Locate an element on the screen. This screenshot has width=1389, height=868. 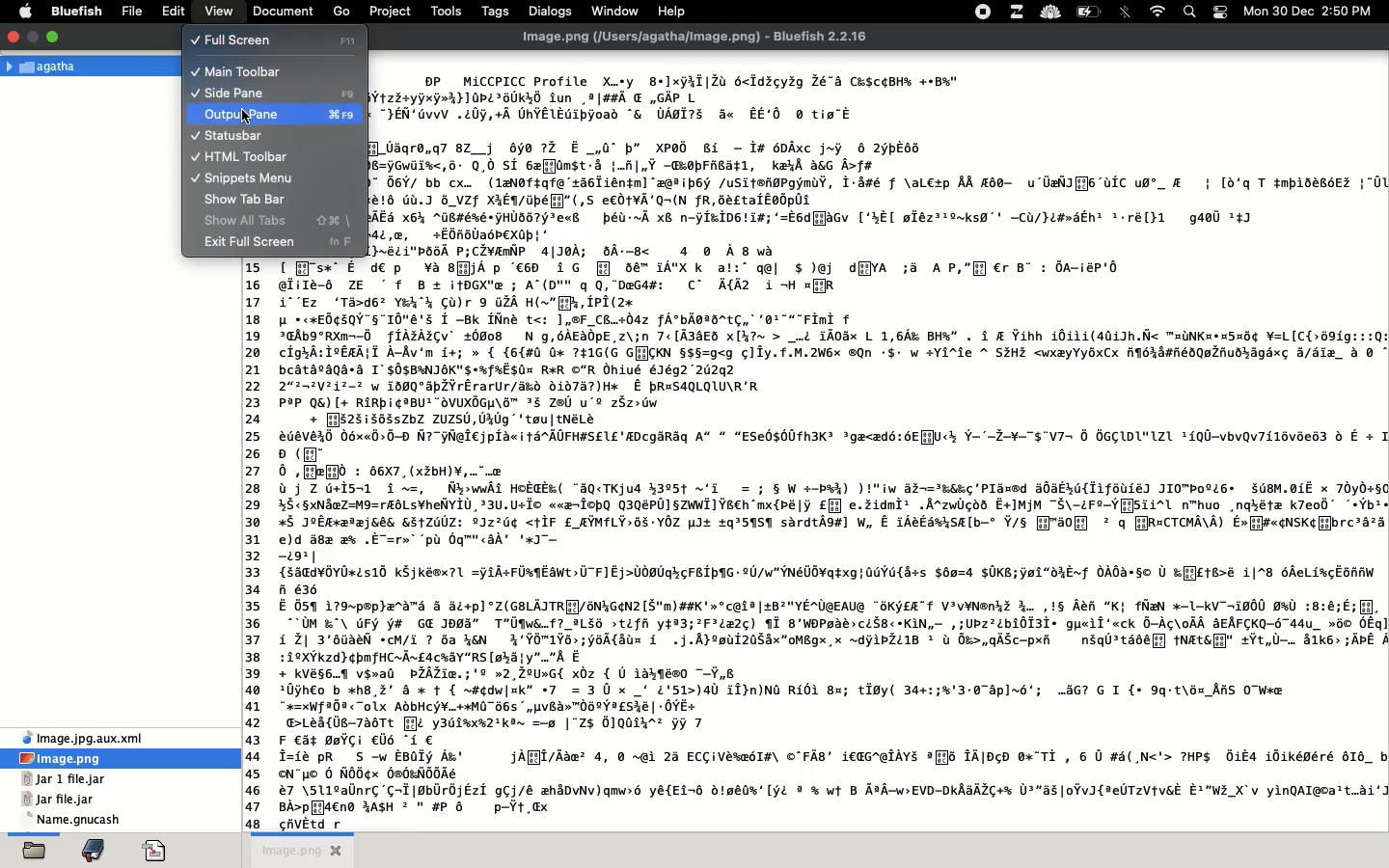
show all tabs is located at coordinates (282, 221).